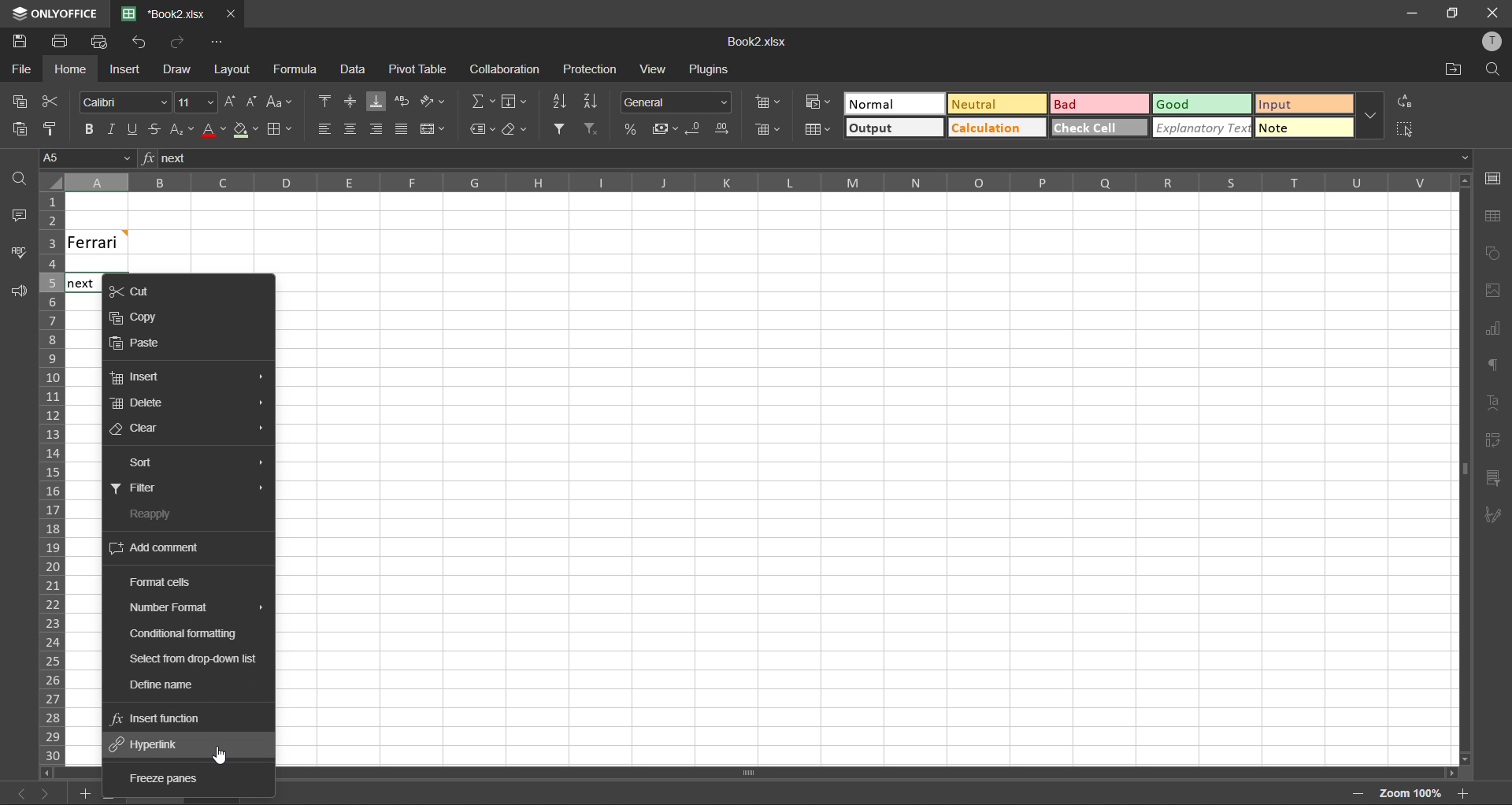 The image size is (1512, 805). Describe the element at coordinates (892, 103) in the screenshot. I see `normal` at that location.